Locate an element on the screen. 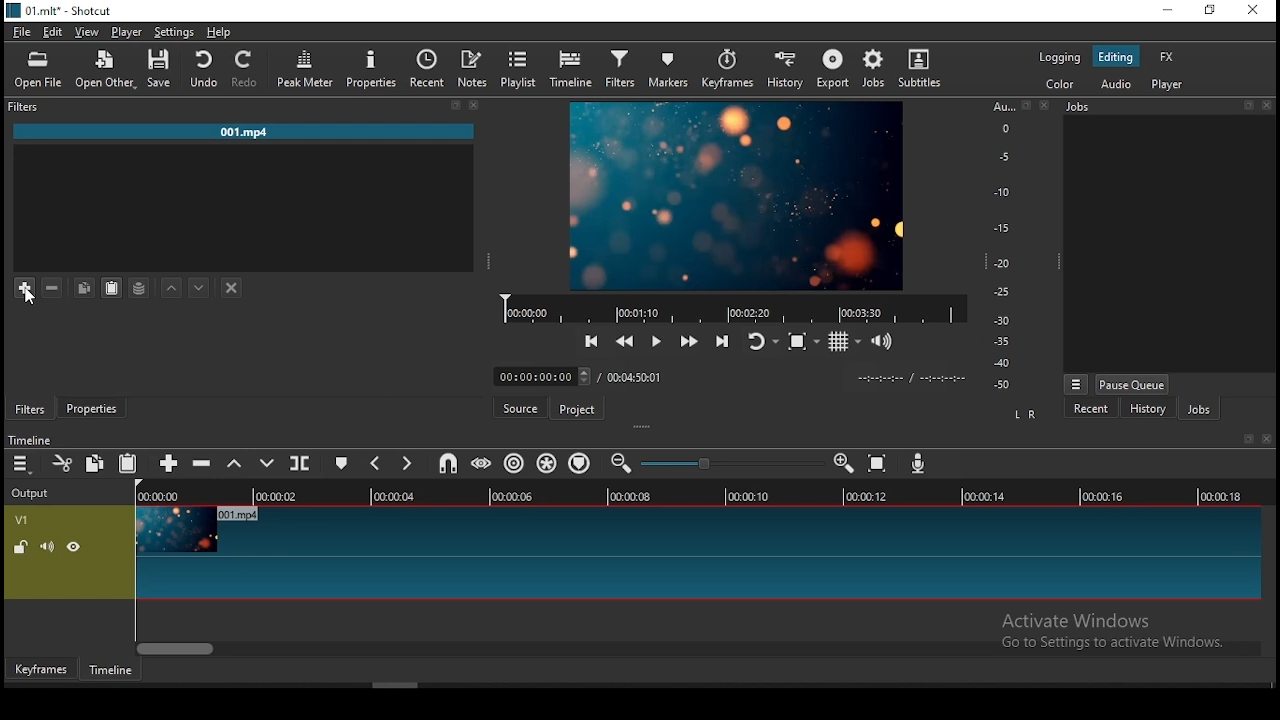 The height and width of the screenshot is (720, 1280). redo is located at coordinates (251, 68).